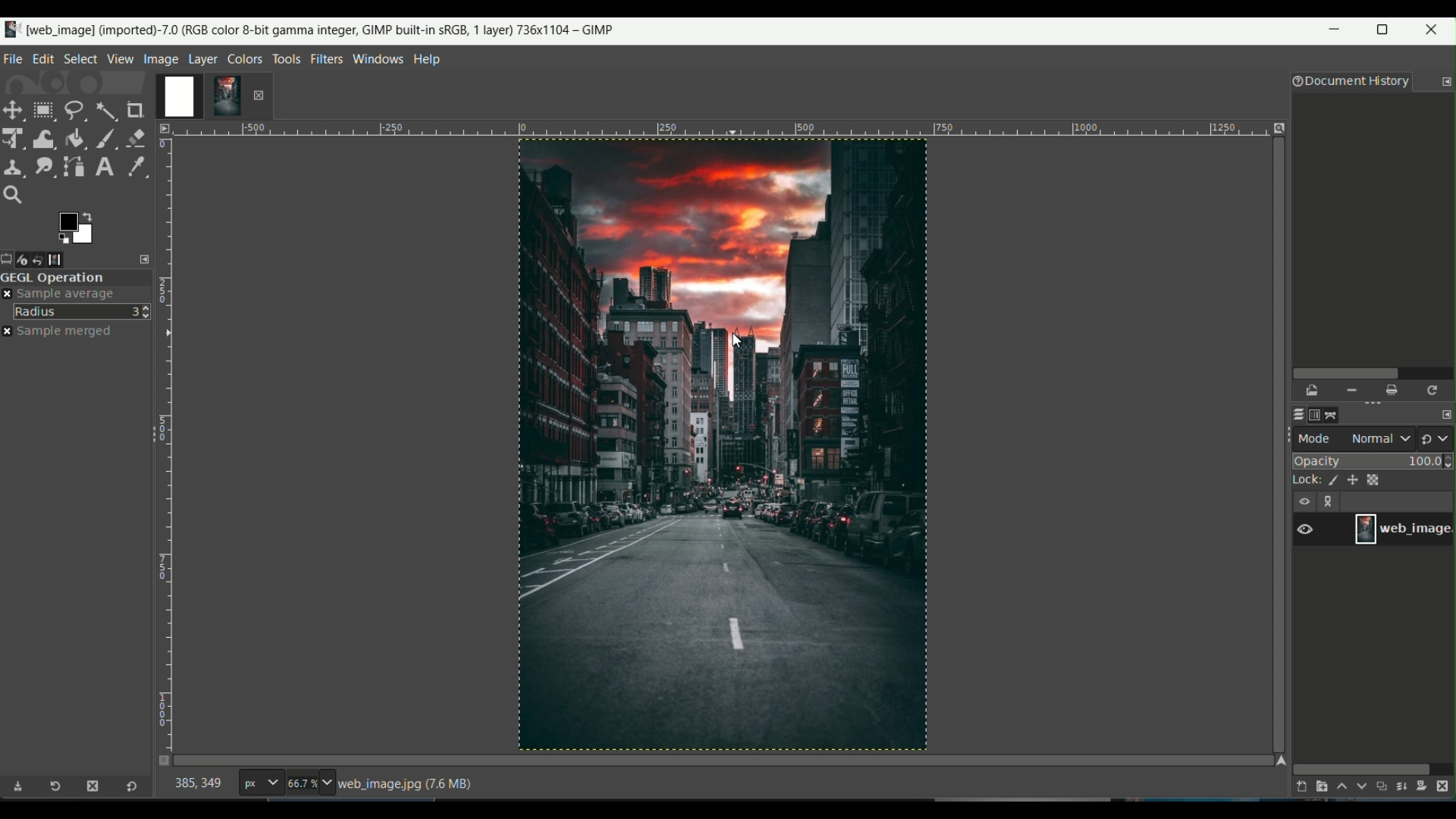 The width and height of the screenshot is (1456, 819). Describe the element at coordinates (42, 110) in the screenshot. I see `rectangle select tool` at that location.